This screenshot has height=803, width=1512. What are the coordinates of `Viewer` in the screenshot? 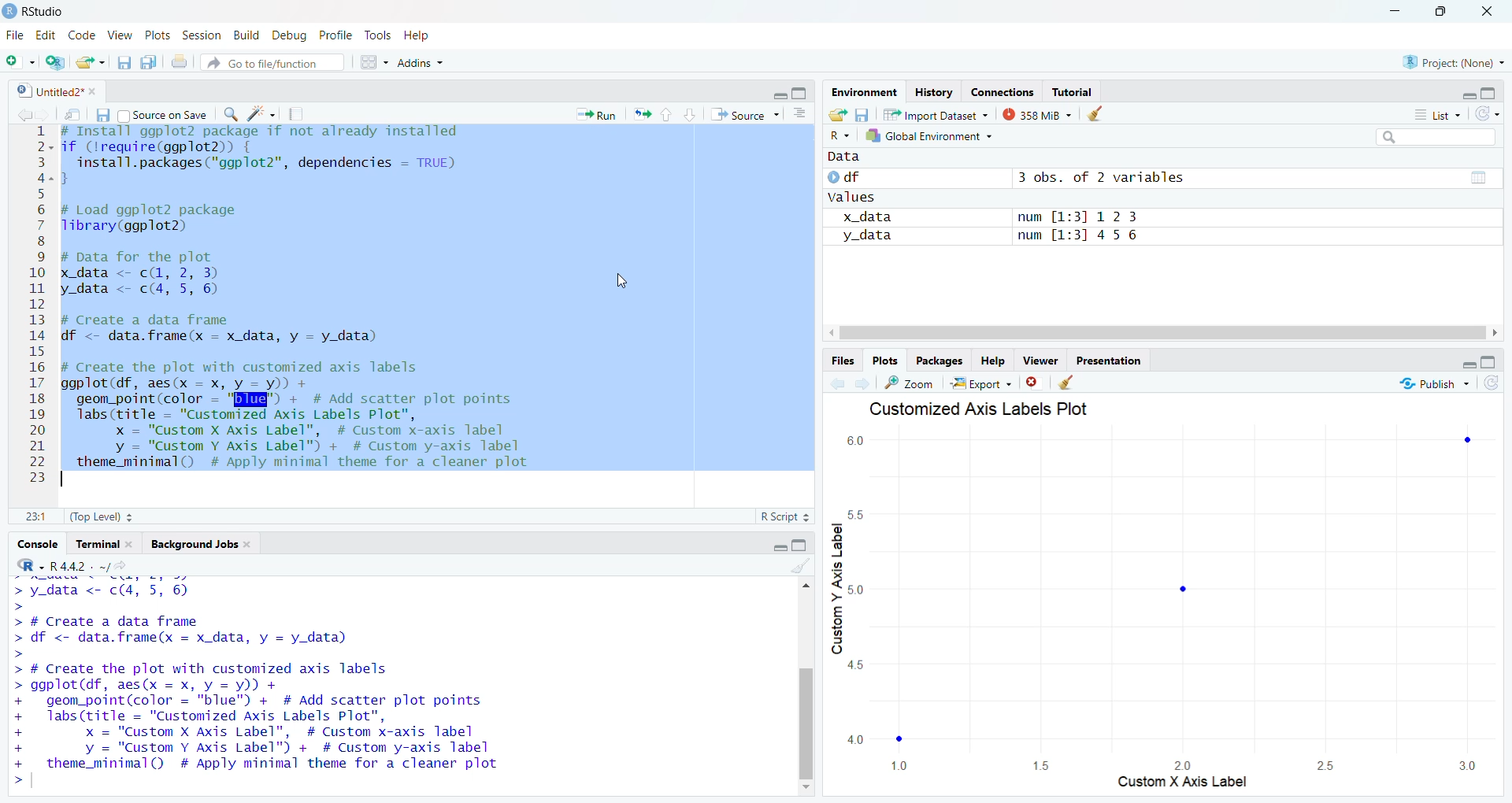 It's located at (1038, 361).